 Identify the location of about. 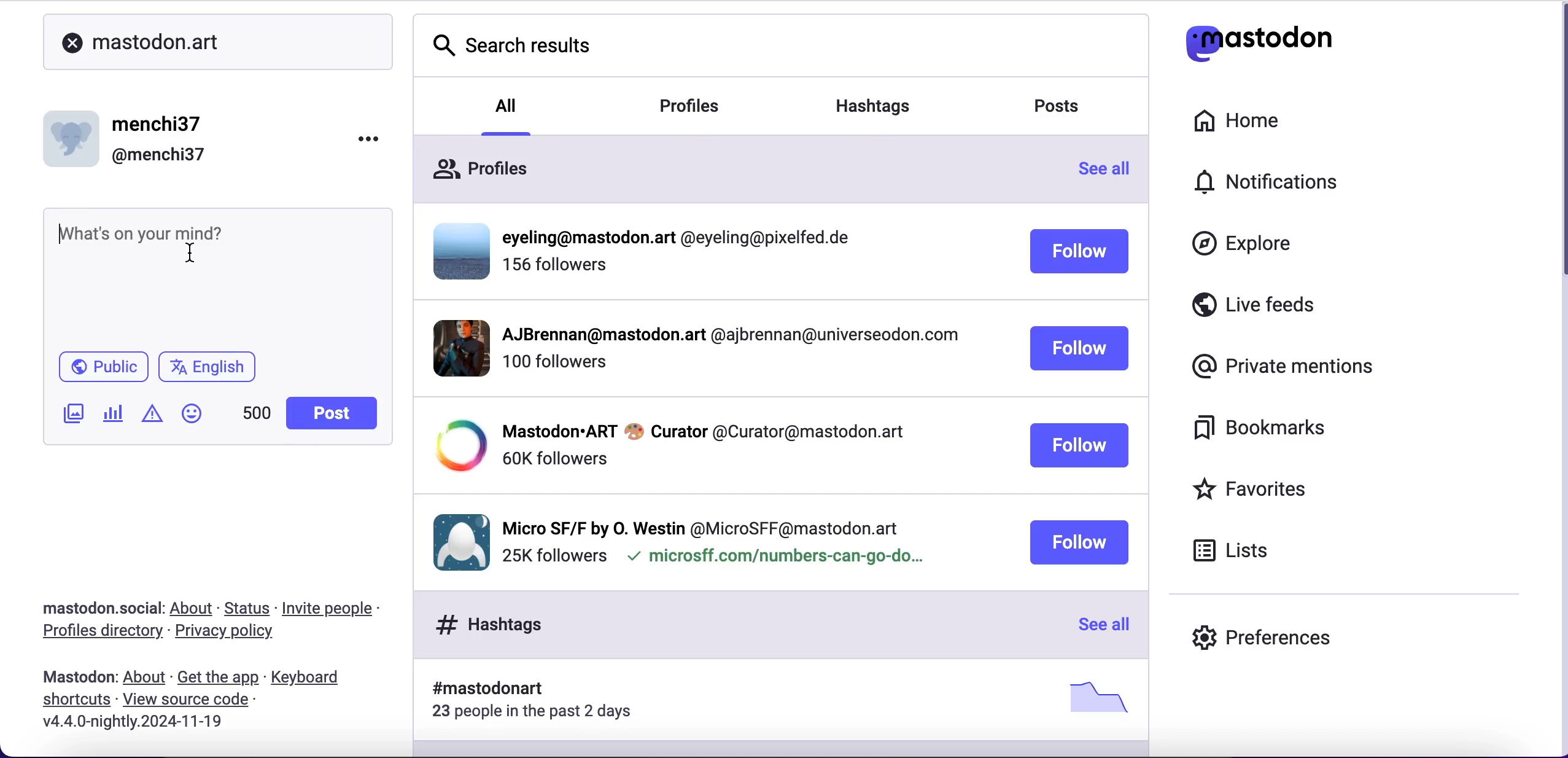
(192, 607).